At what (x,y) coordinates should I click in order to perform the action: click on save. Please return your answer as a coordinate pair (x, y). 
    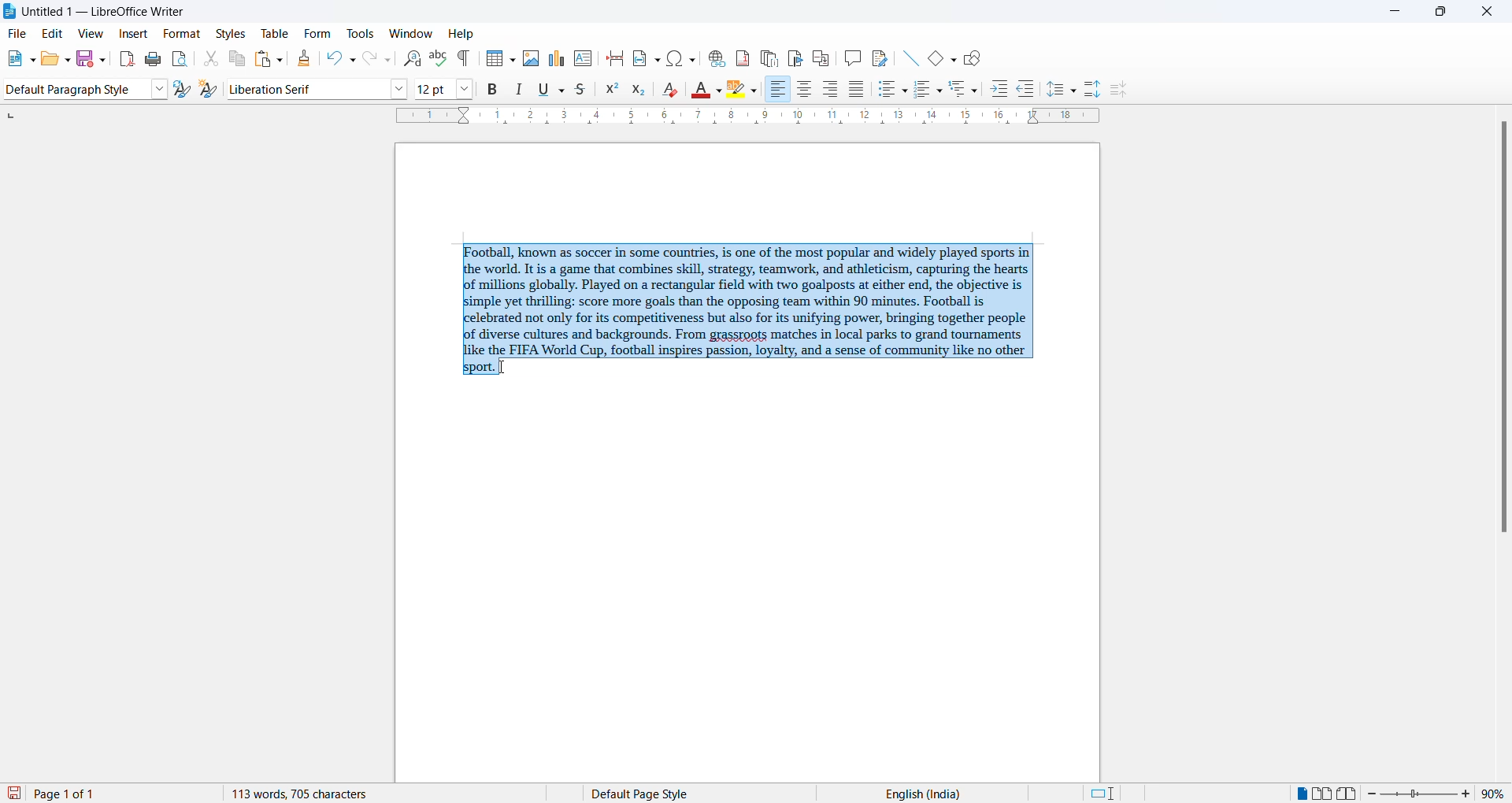
    Looking at the image, I should click on (14, 793).